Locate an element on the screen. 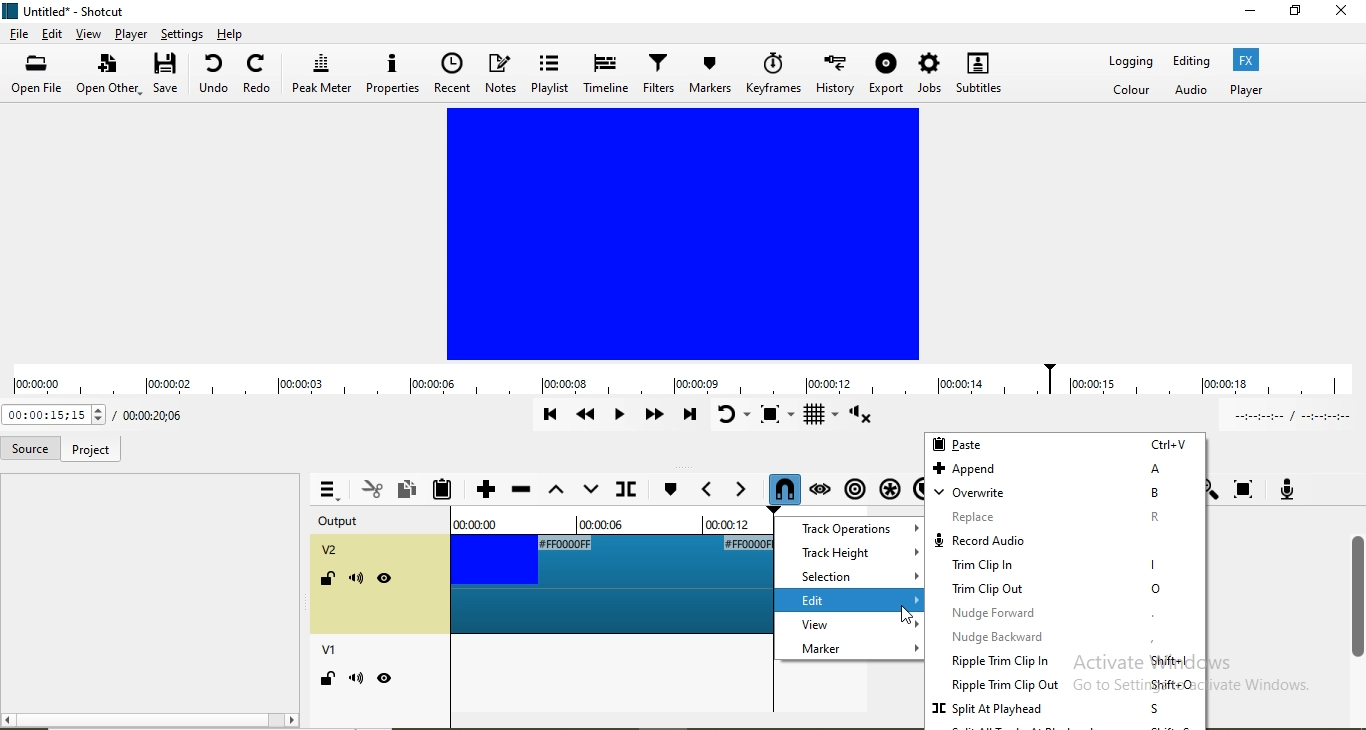 This screenshot has height=730, width=1366.  is located at coordinates (734, 416).